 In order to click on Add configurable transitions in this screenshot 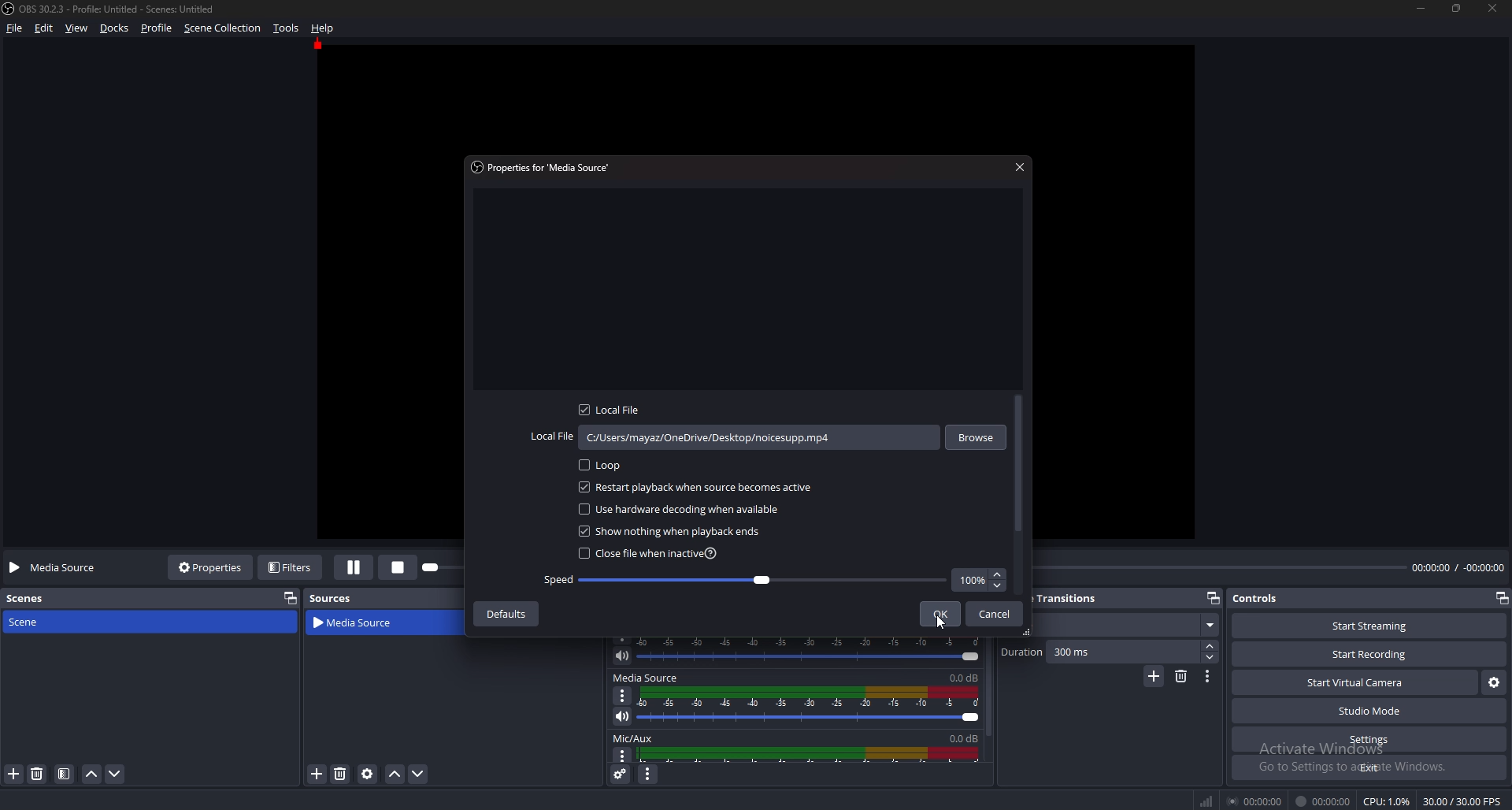, I will do `click(1154, 677)`.